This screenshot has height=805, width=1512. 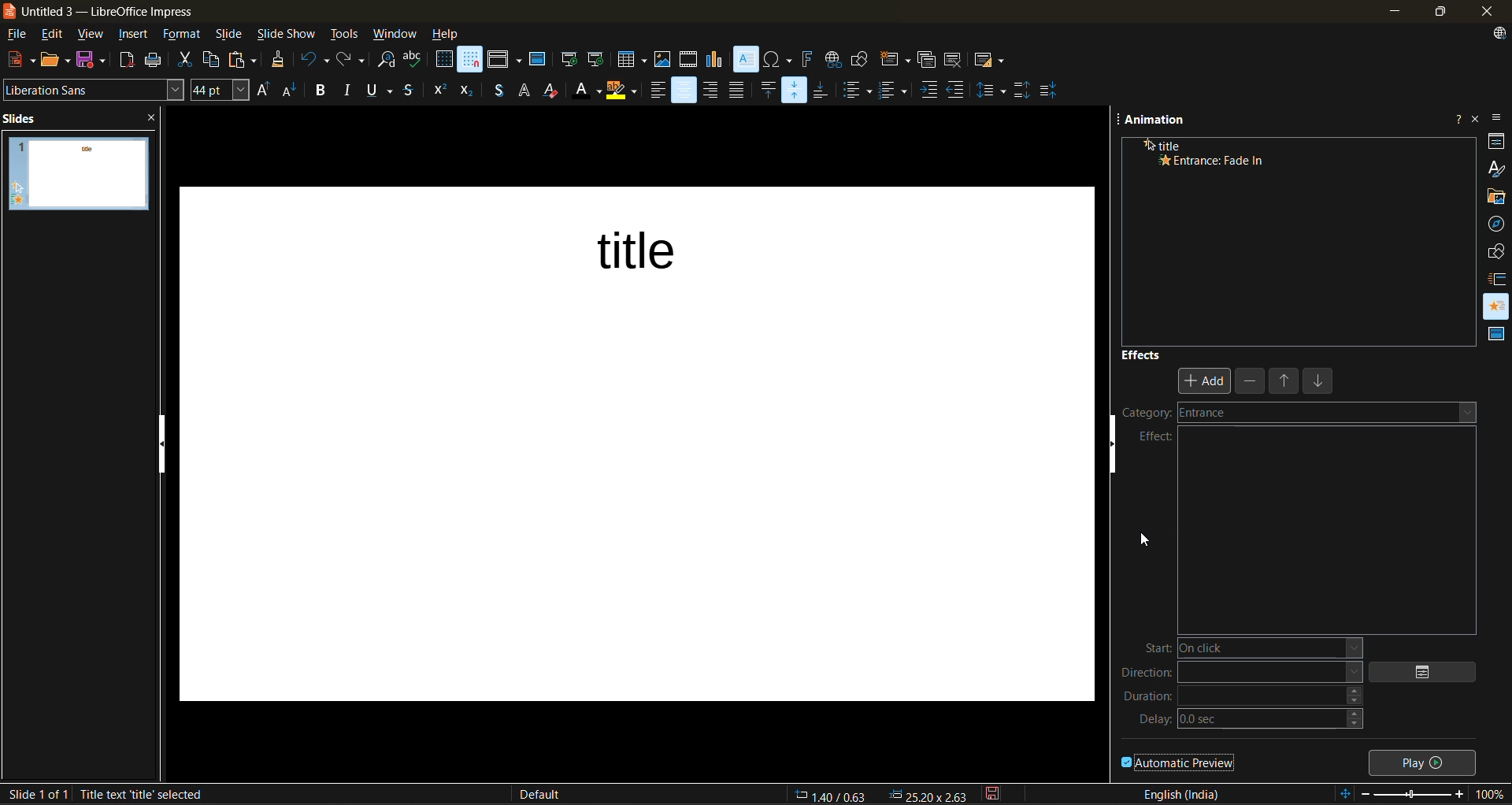 What do you see at coordinates (1245, 648) in the screenshot?
I see `start` at bounding box center [1245, 648].